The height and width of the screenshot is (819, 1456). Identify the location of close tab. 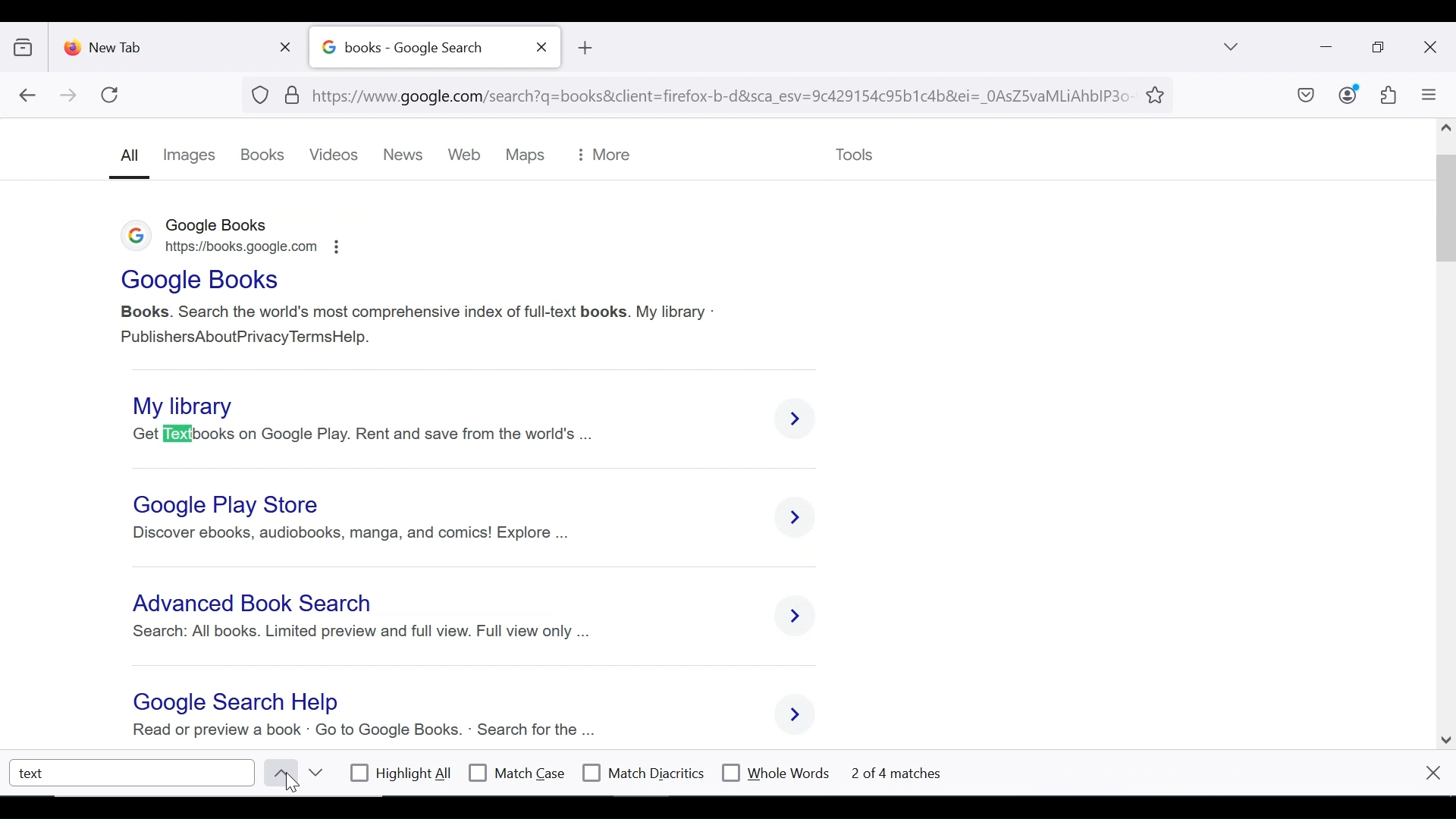
(289, 44).